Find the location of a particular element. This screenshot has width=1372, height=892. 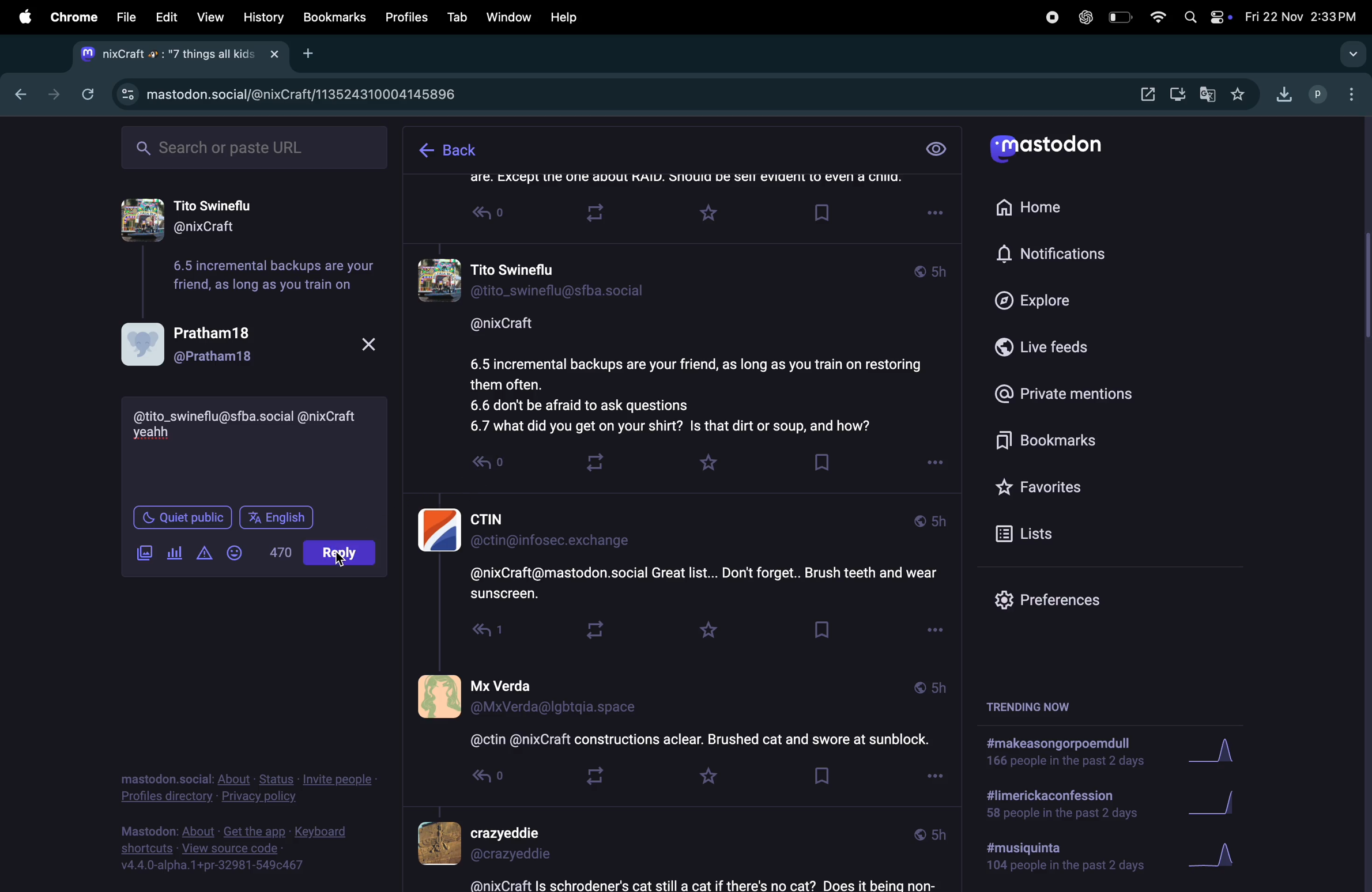

apple menu is located at coordinates (20, 17).